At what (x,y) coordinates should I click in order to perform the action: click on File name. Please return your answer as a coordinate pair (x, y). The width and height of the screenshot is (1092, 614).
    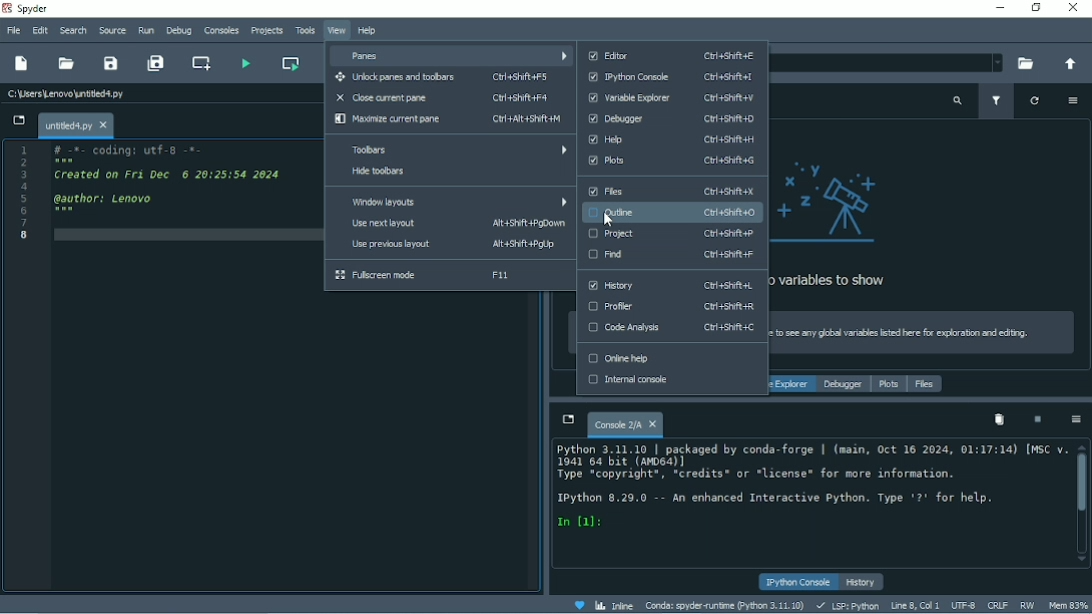
    Looking at the image, I should click on (76, 125).